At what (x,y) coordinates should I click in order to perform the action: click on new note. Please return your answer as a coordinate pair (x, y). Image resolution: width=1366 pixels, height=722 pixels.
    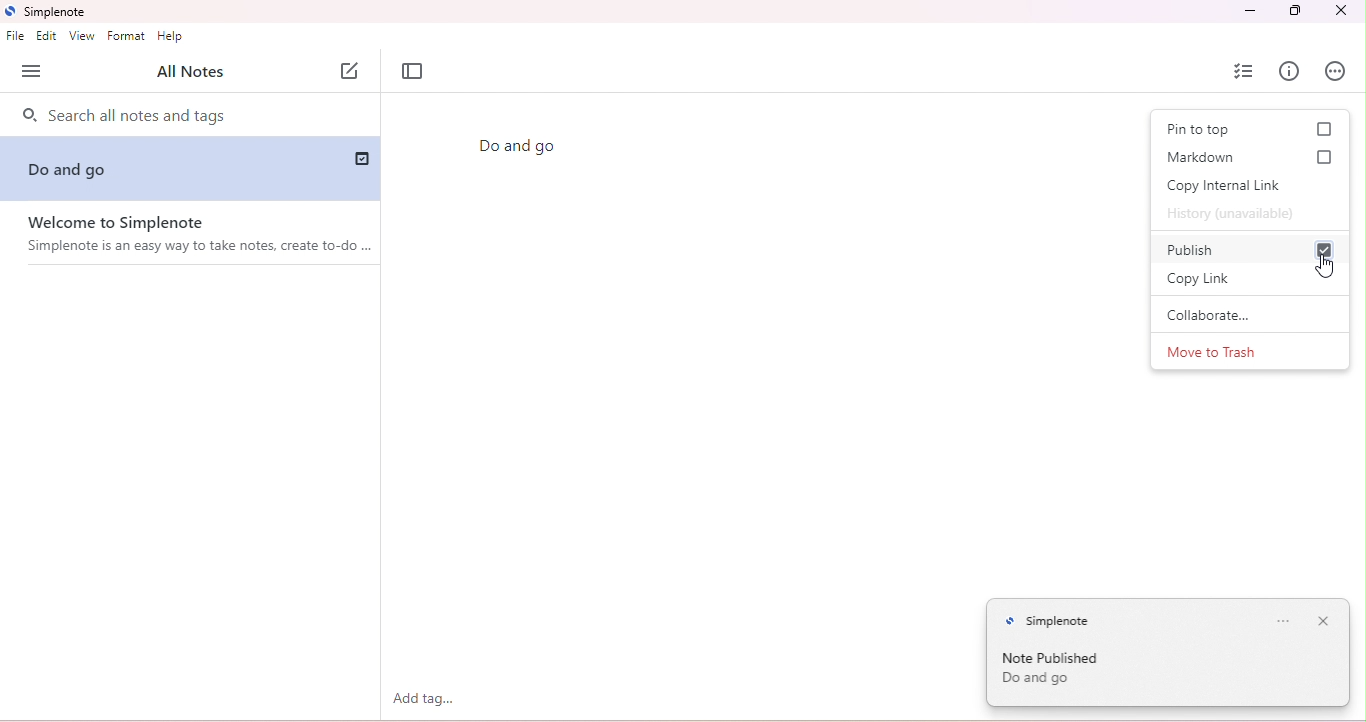
    Looking at the image, I should click on (352, 71).